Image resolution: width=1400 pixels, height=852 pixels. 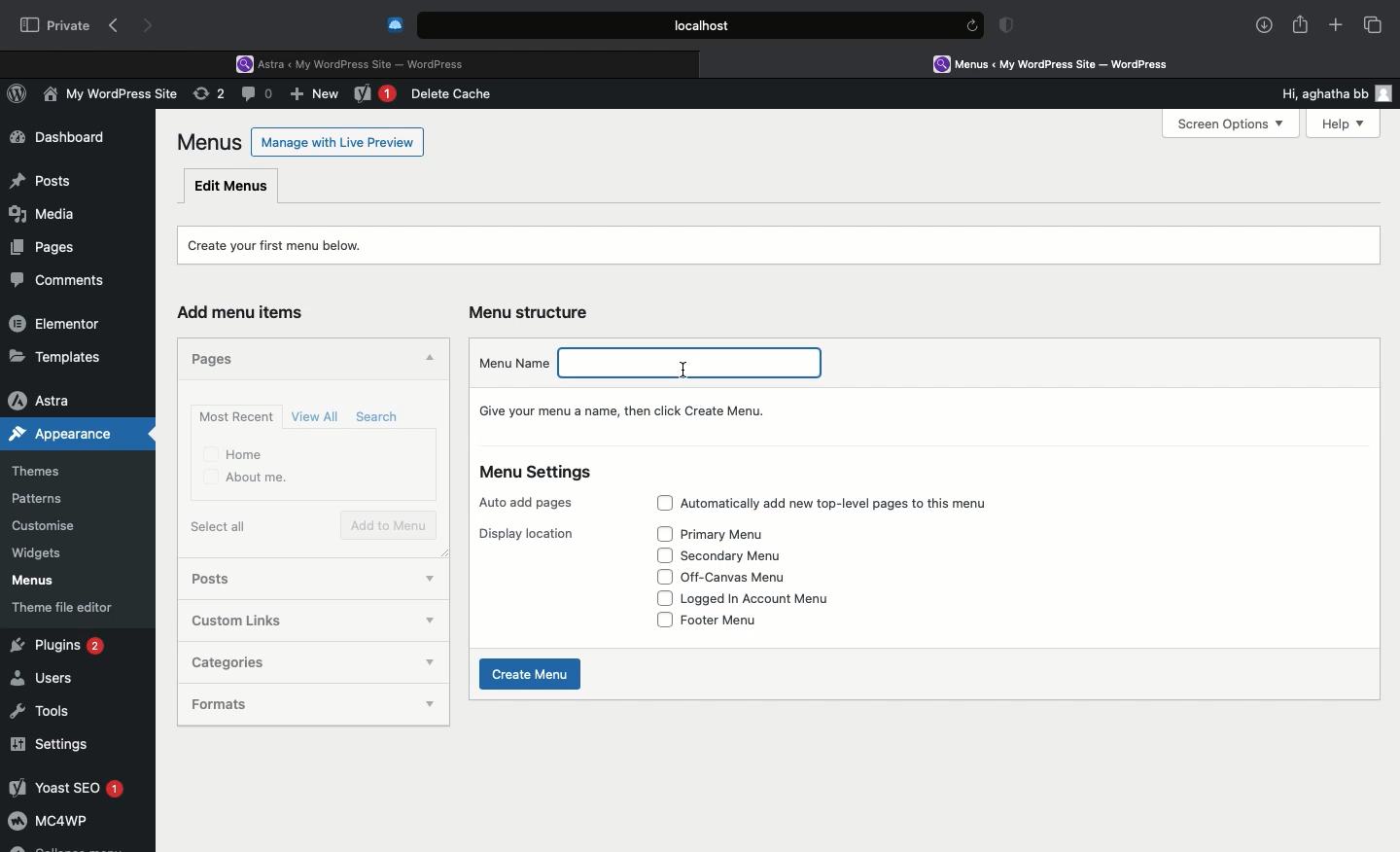 What do you see at coordinates (118, 26) in the screenshot?
I see `Back` at bounding box center [118, 26].